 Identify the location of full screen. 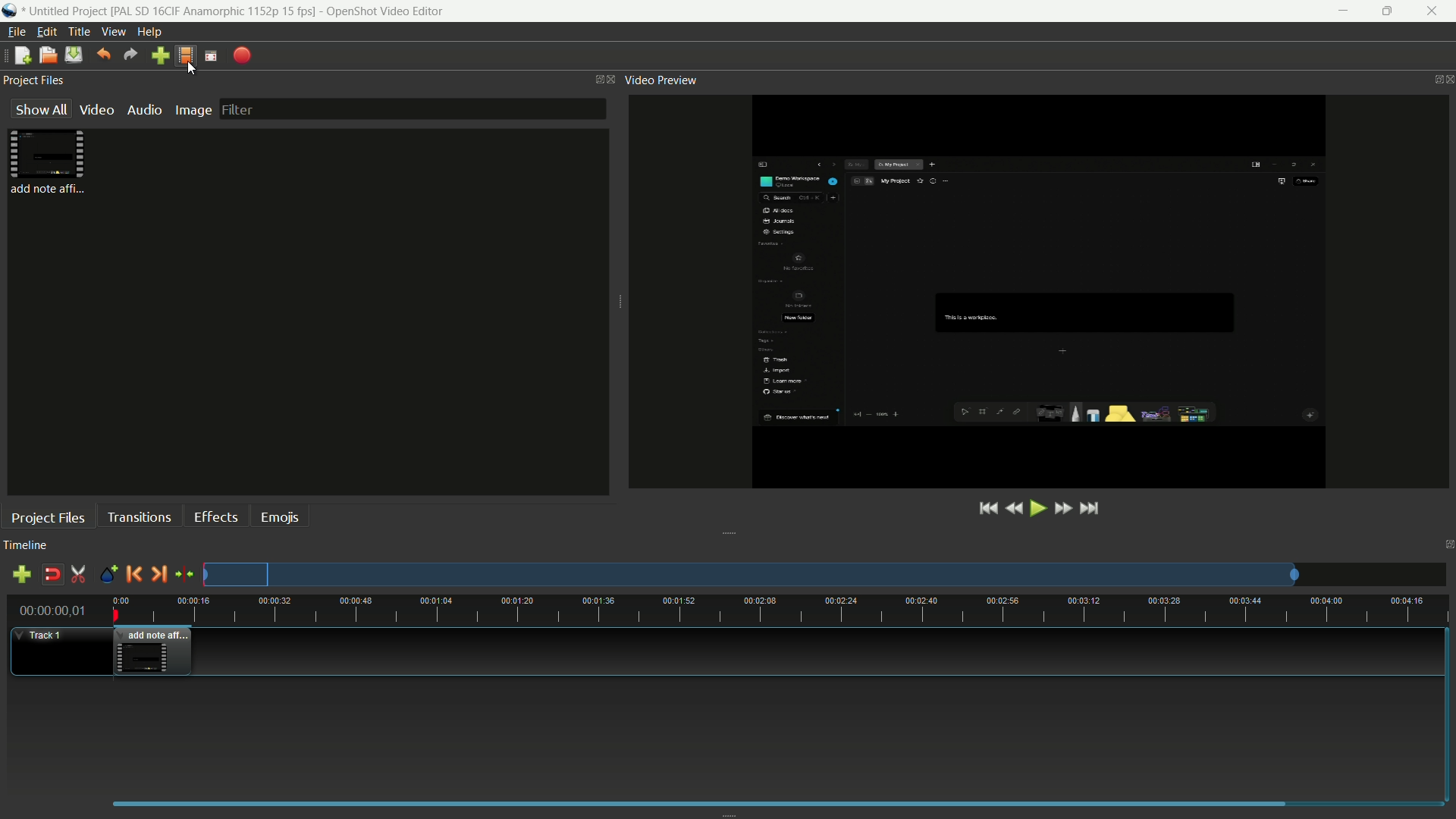
(212, 56).